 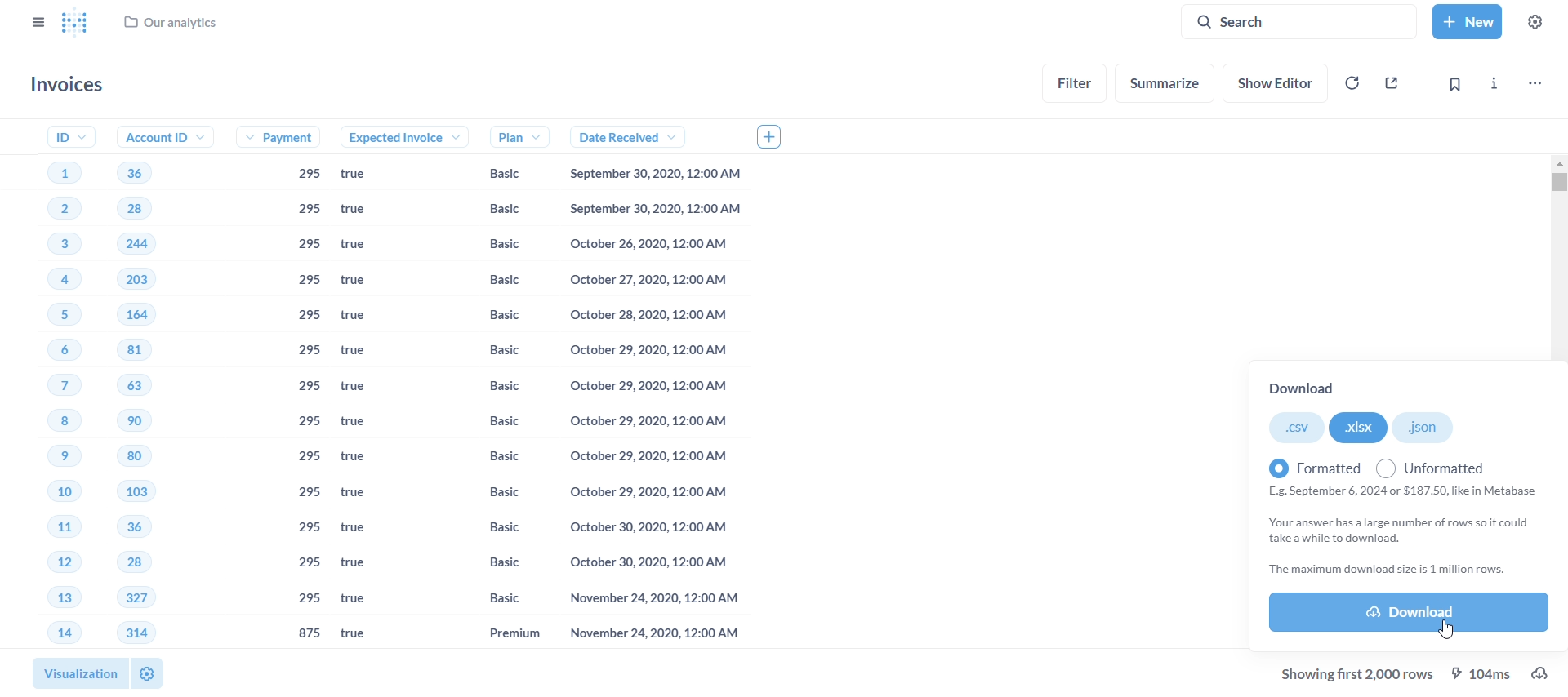 What do you see at coordinates (493, 315) in the screenshot?
I see `Basic` at bounding box center [493, 315].